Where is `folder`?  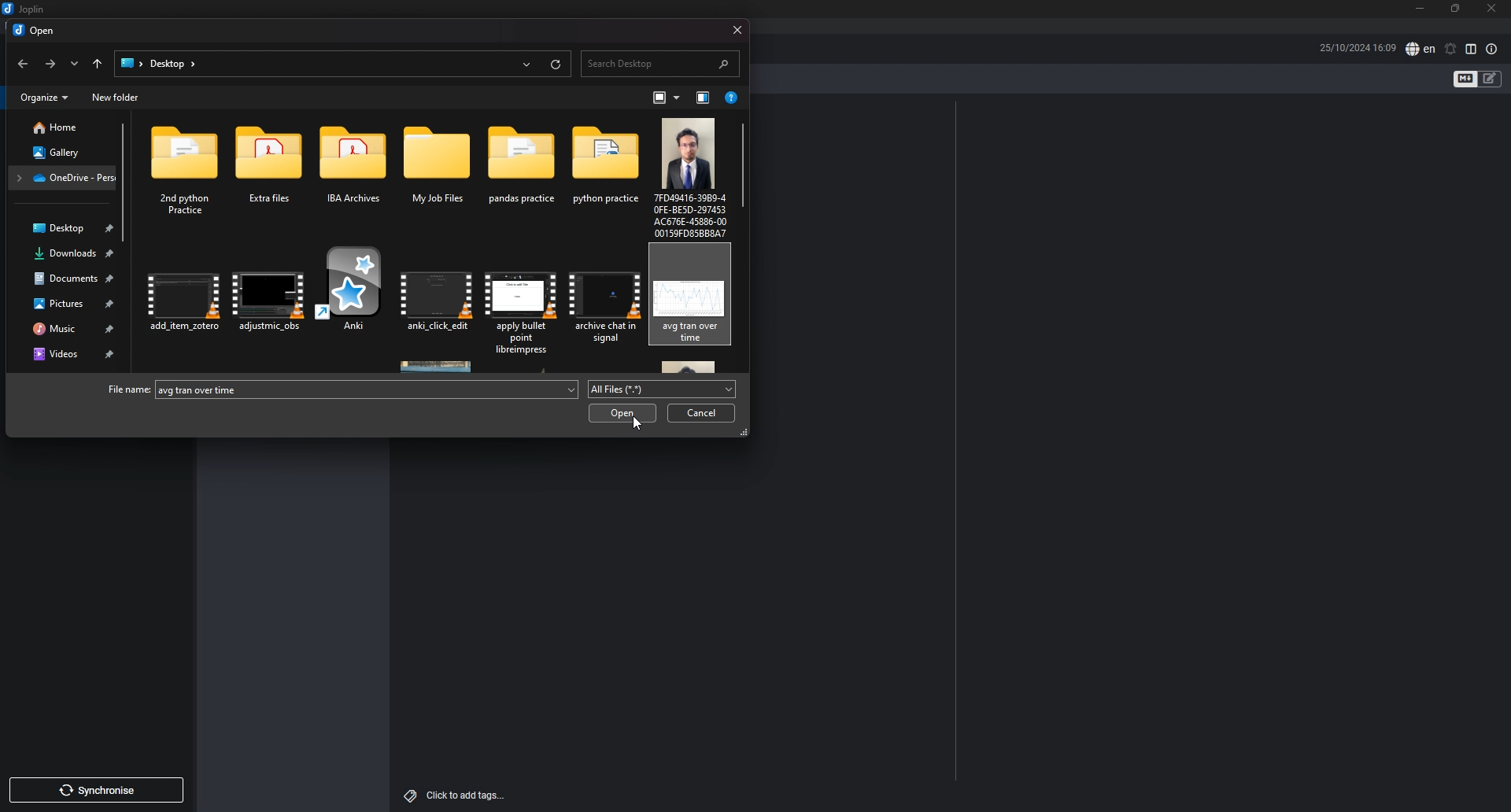 folder is located at coordinates (131, 62).